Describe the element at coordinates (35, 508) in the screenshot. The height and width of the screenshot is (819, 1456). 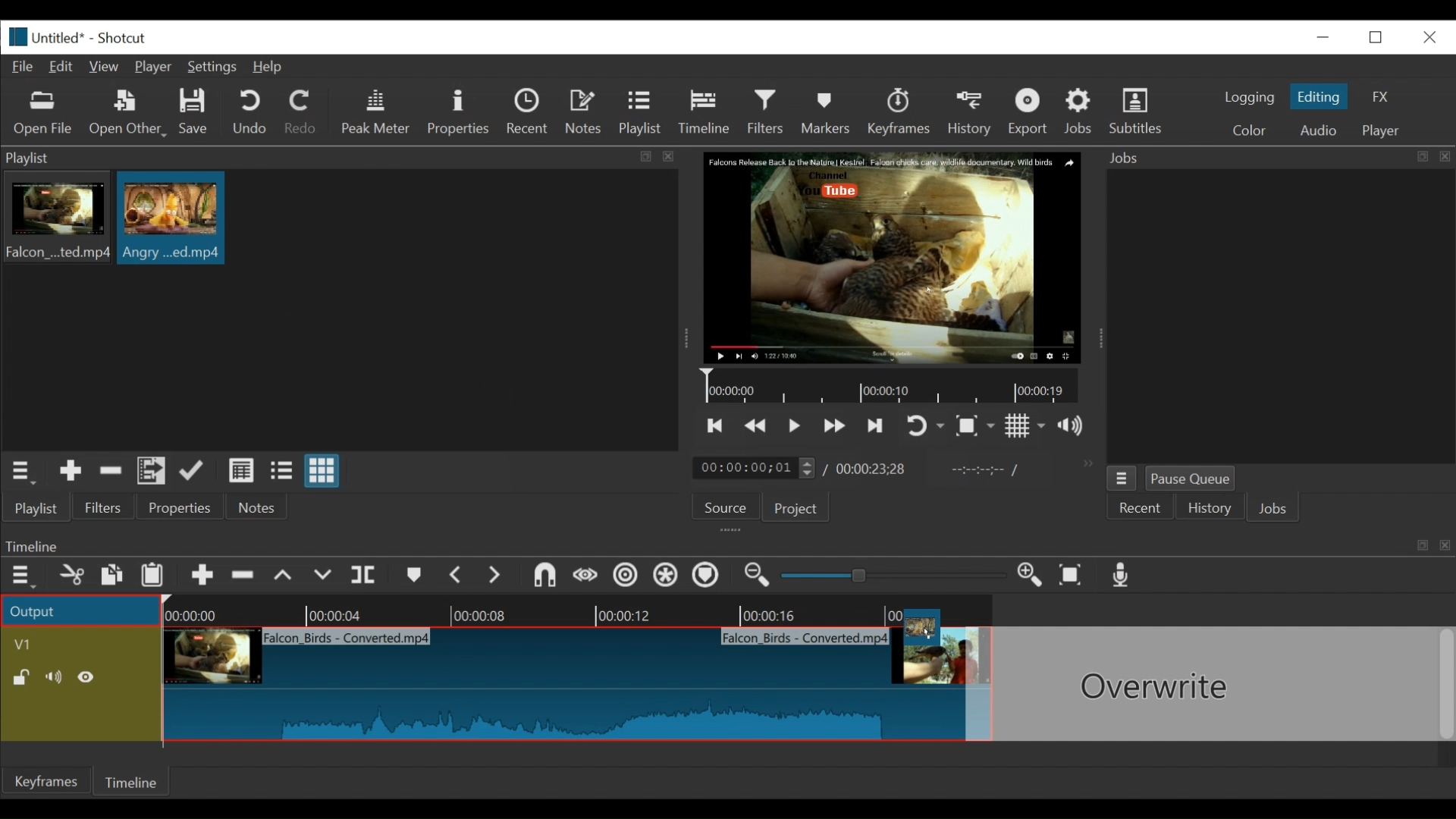
I see `playlist` at that location.